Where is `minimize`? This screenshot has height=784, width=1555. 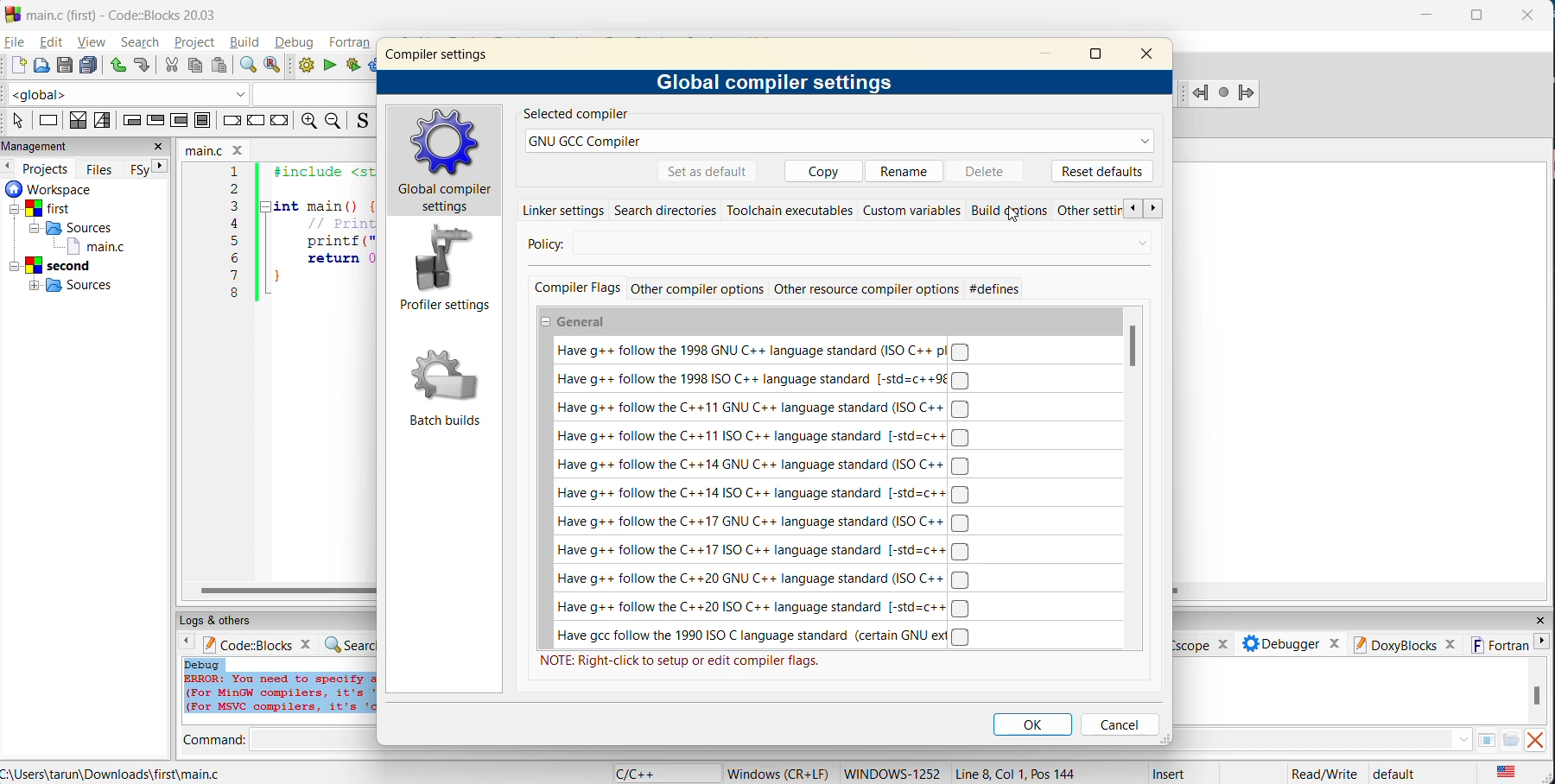 minimize is located at coordinates (1428, 17).